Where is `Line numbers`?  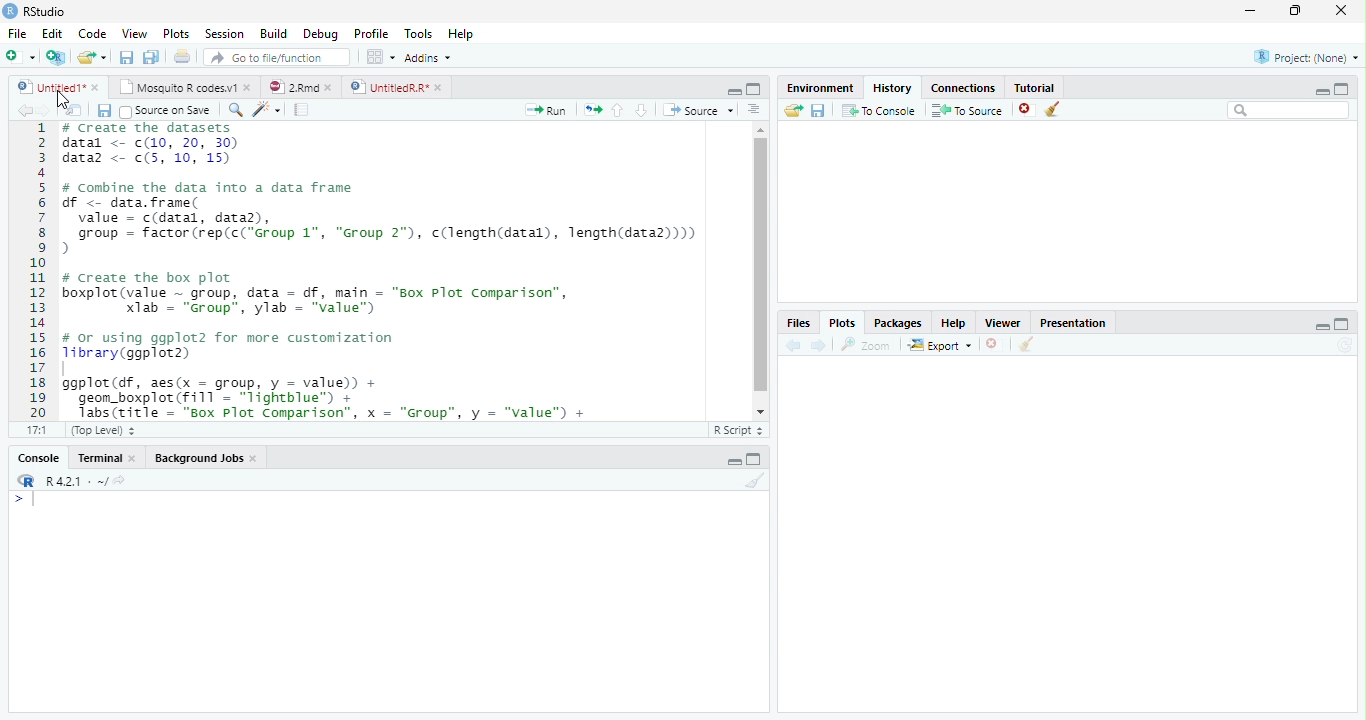
Line numbers is located at coordinates (38, 270).